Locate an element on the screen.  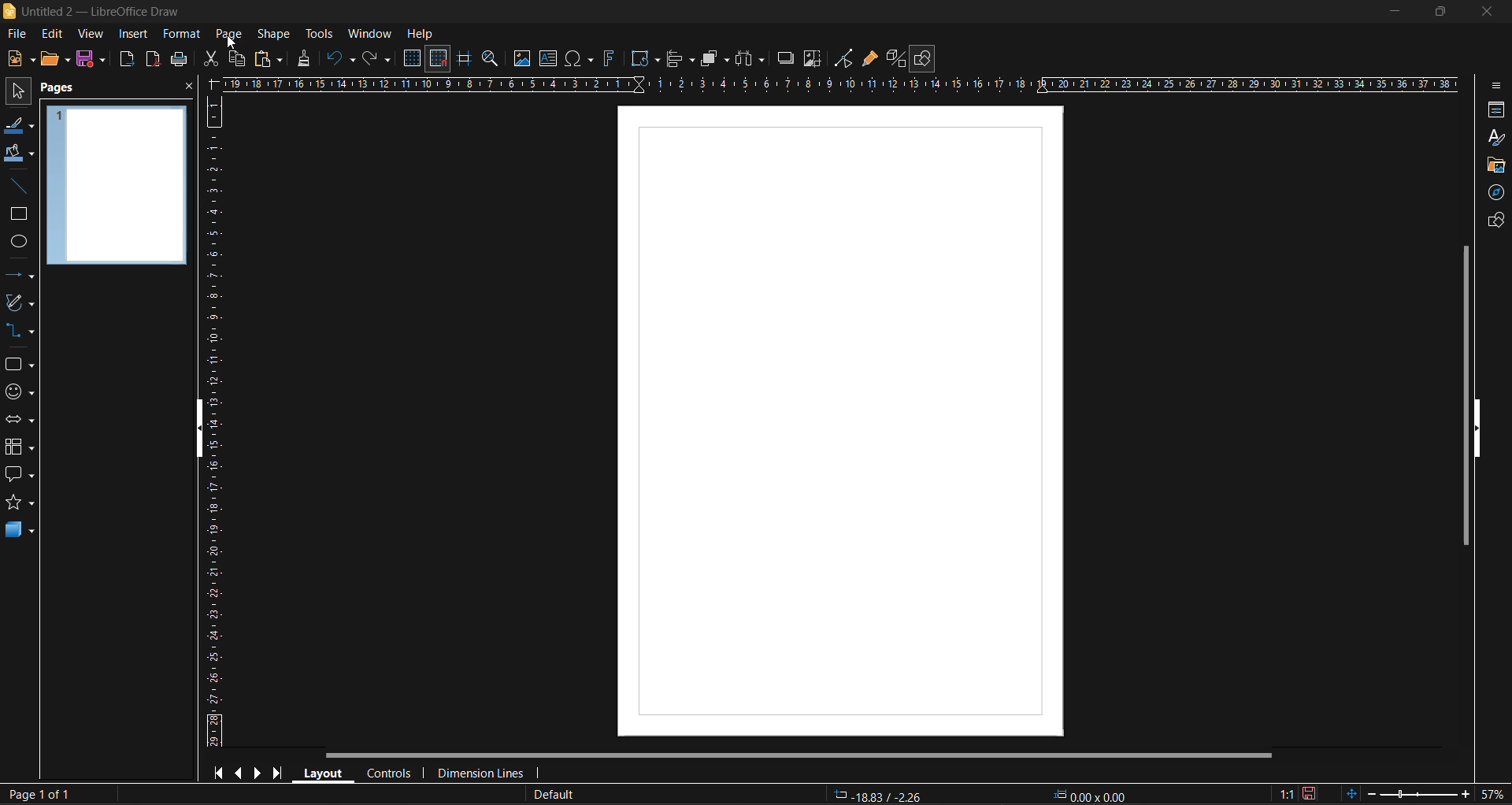
shadow is located at coordinates (788, 57).